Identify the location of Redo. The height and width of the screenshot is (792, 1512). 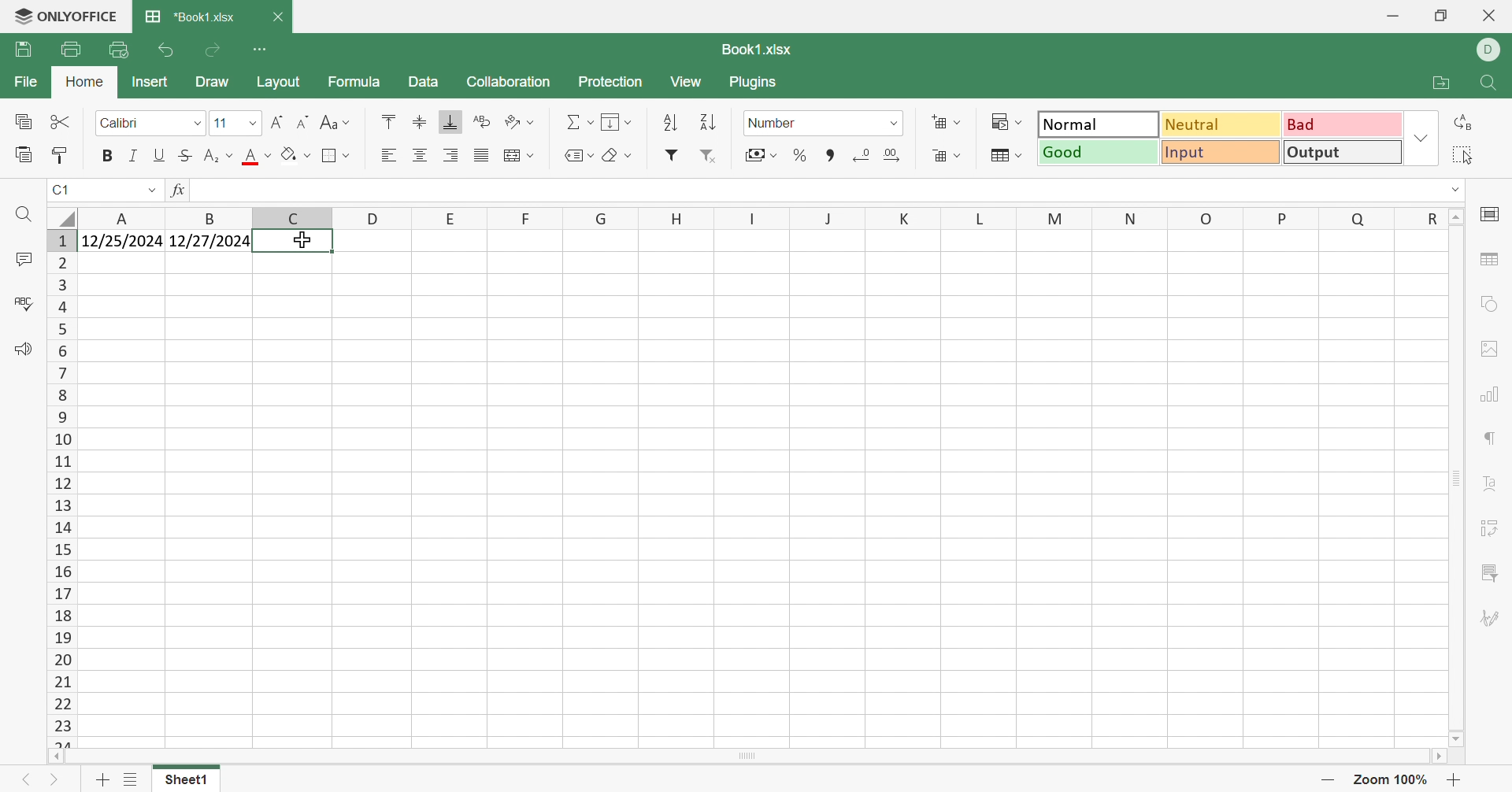
(214, 50).